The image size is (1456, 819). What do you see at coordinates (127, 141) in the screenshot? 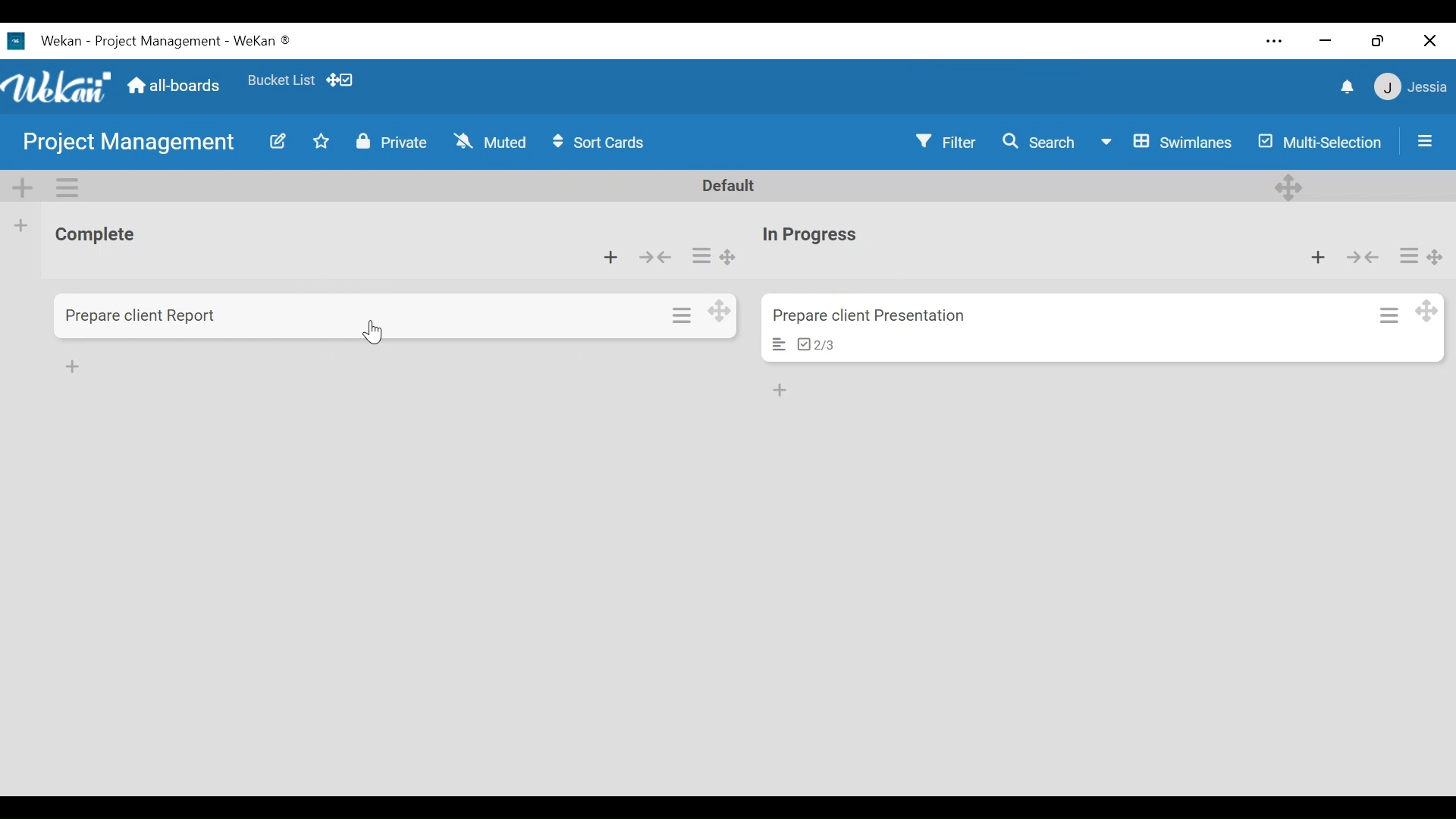
I see `Board Title` at bounding box center [127, 141].